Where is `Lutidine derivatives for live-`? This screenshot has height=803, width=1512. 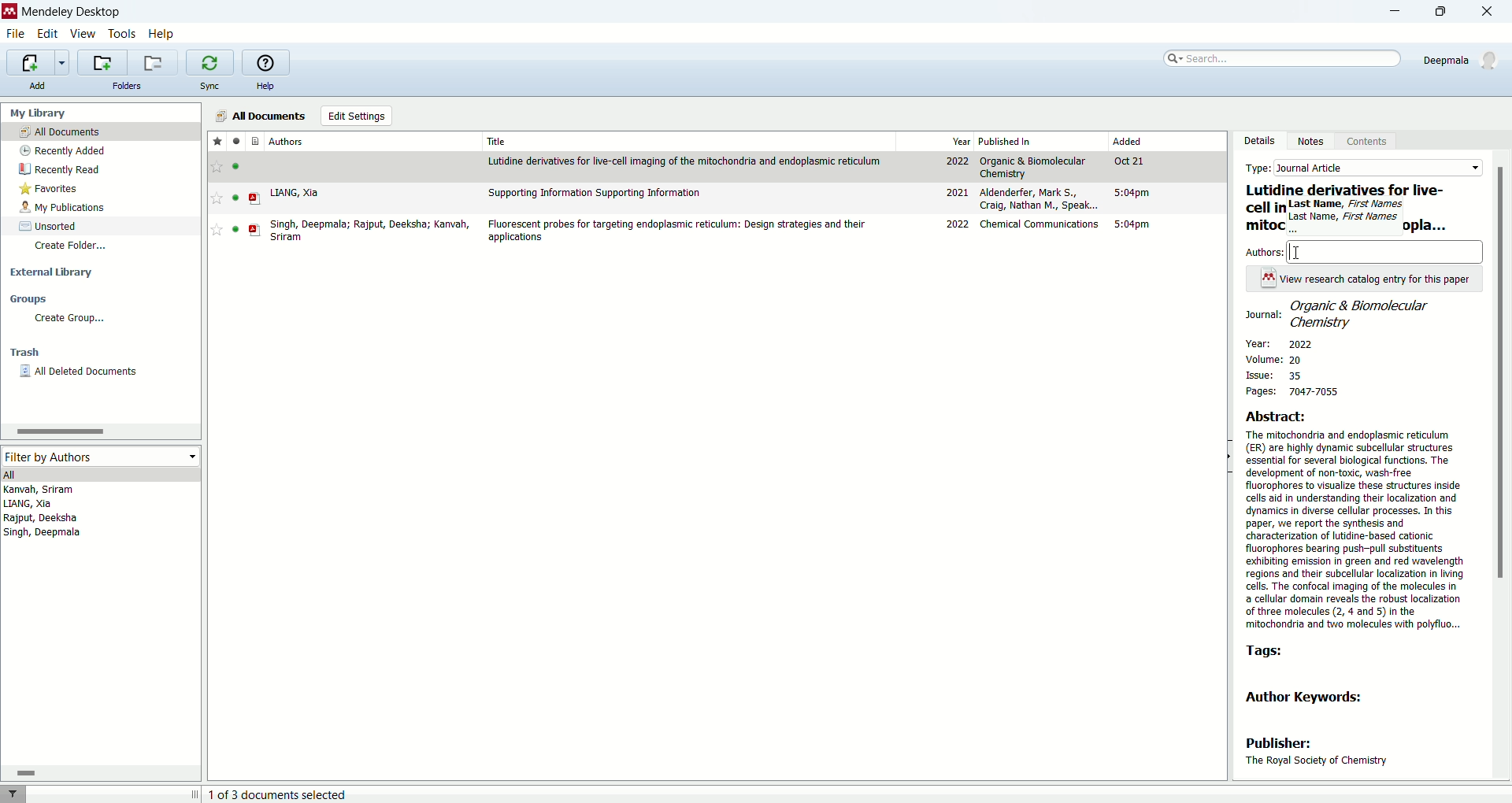 Lutidine derivatives for live- is located at coordinates (1346, 191).